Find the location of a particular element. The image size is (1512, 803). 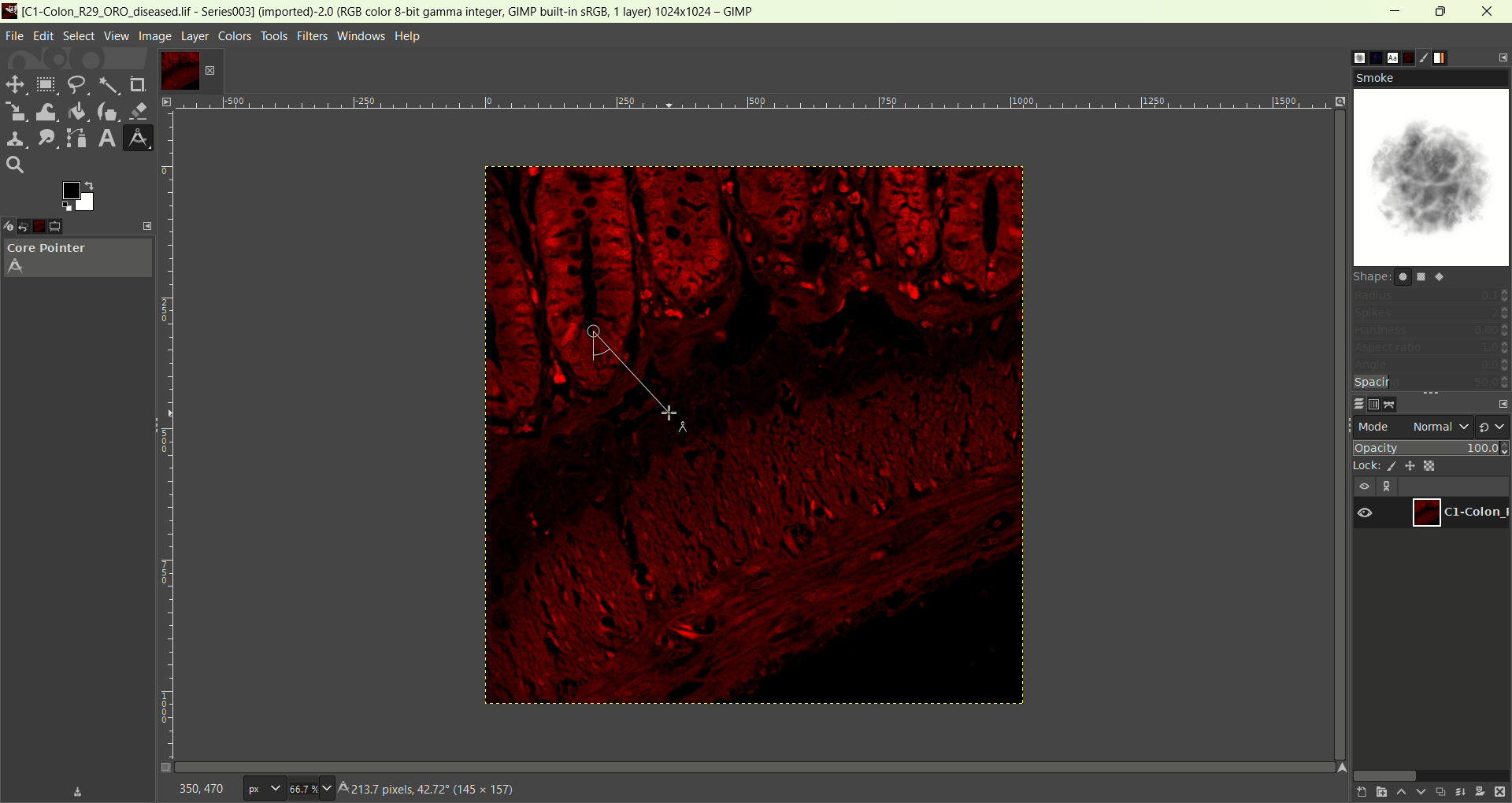

delete layer is located at coordinates (1501, 793).